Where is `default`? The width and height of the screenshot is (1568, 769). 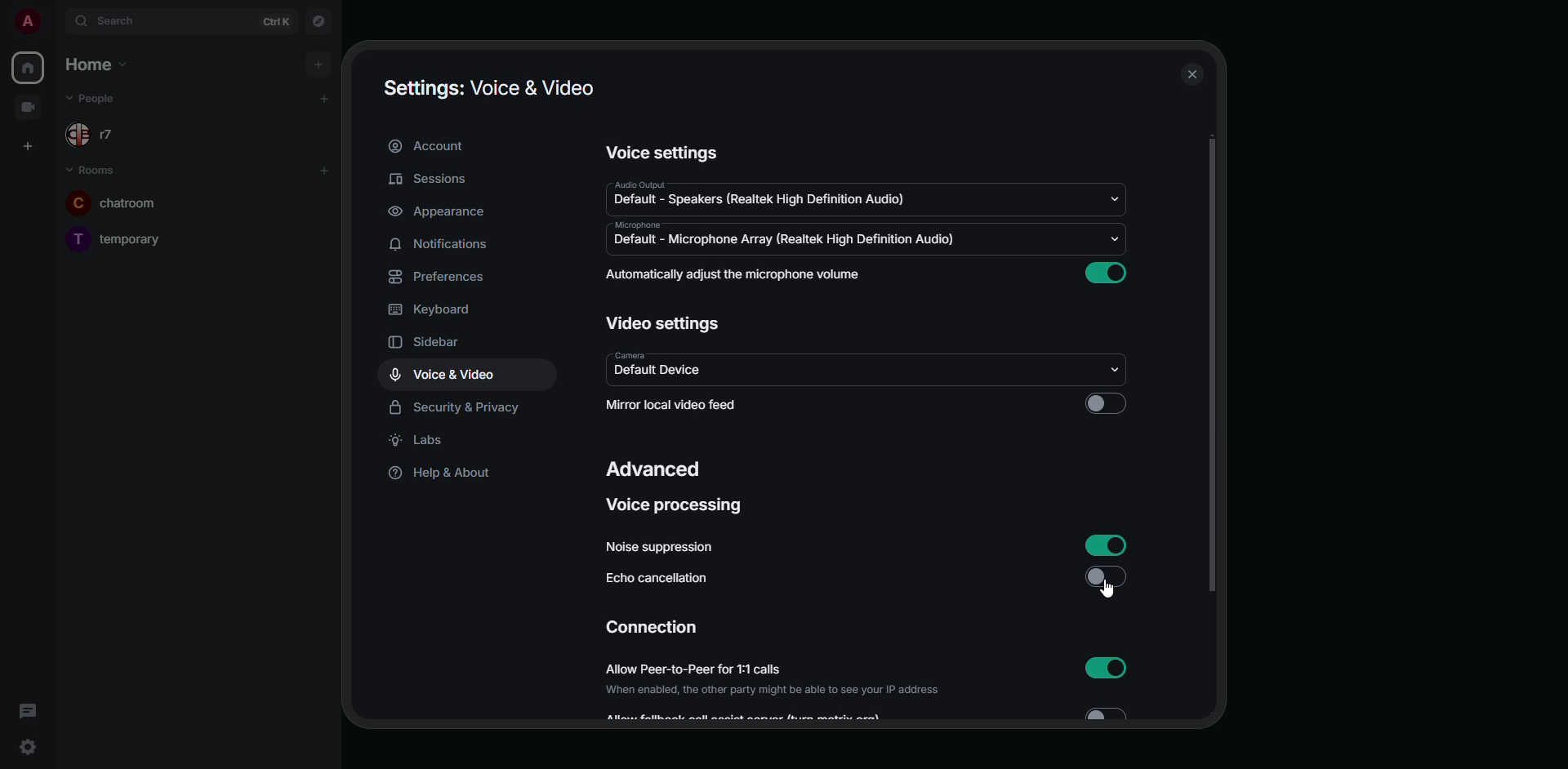 default is located at coordinates (658, 372).